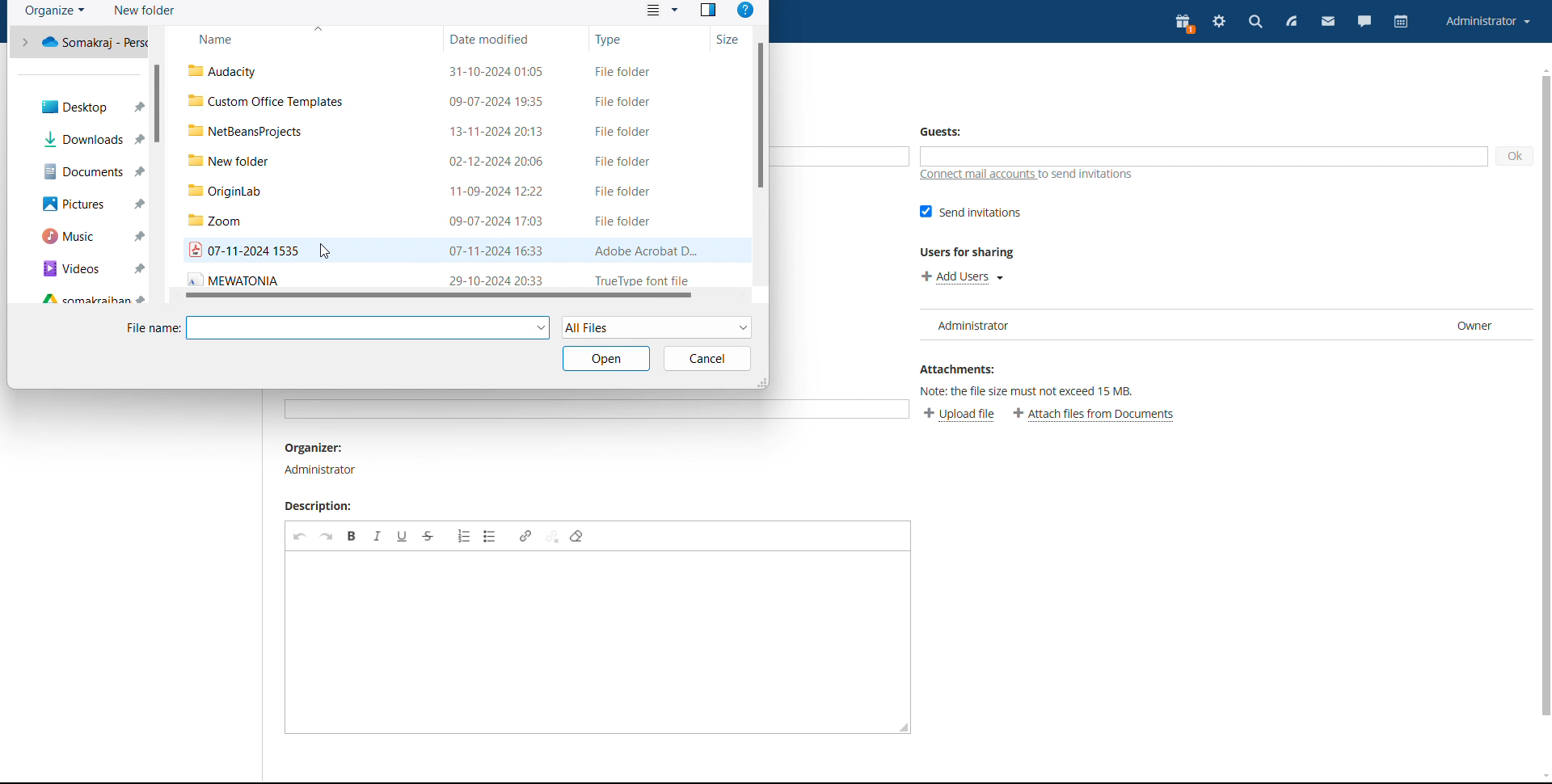  I want to click on scroll up, so click(1542, 69).